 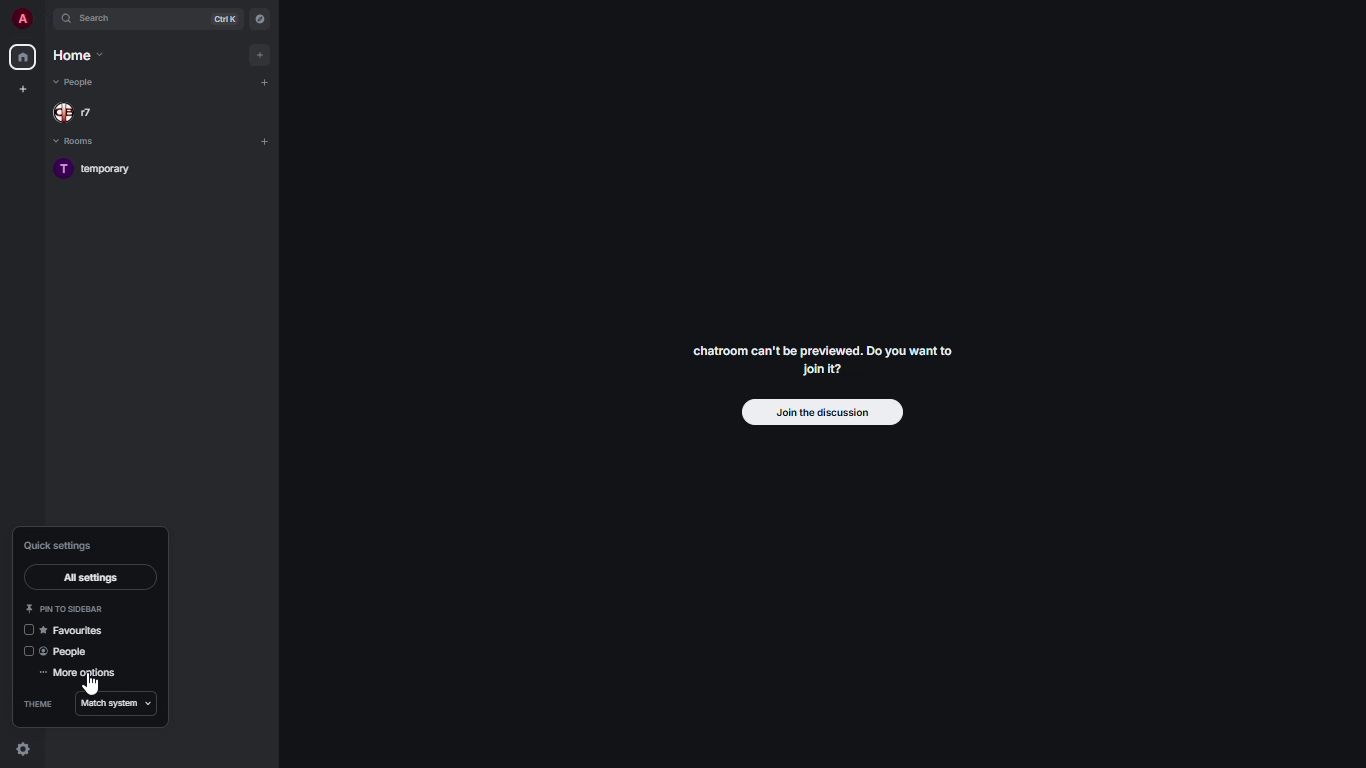 I want to click on ctrl K, so click(x=229, y=18).